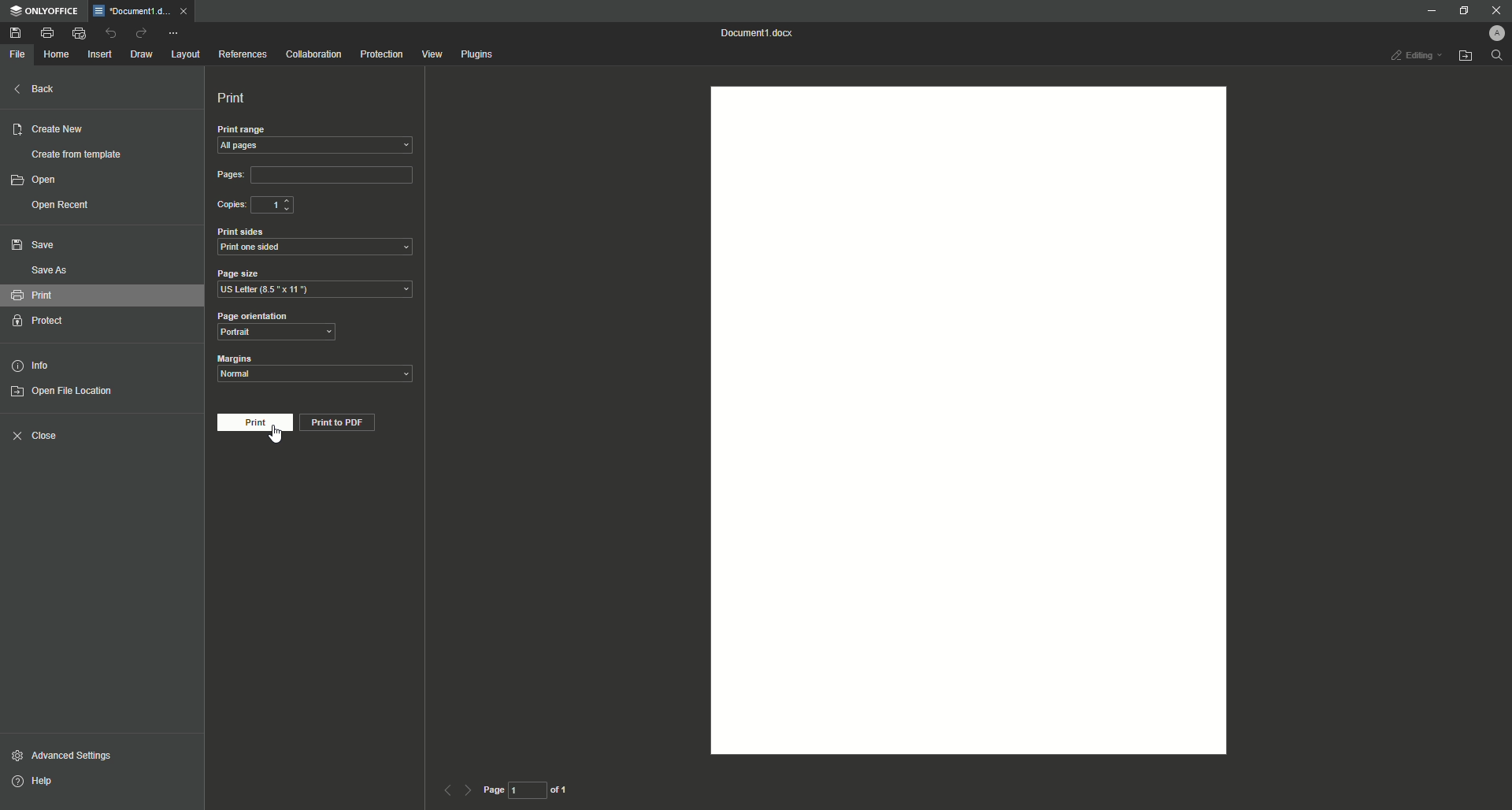 Image resolution: width=1512 pixels, height=810 pixels. What do you see at coordinates (531, 792) in the screenshot?
I see `page 1 of 1` at bounding box center [531, 792].